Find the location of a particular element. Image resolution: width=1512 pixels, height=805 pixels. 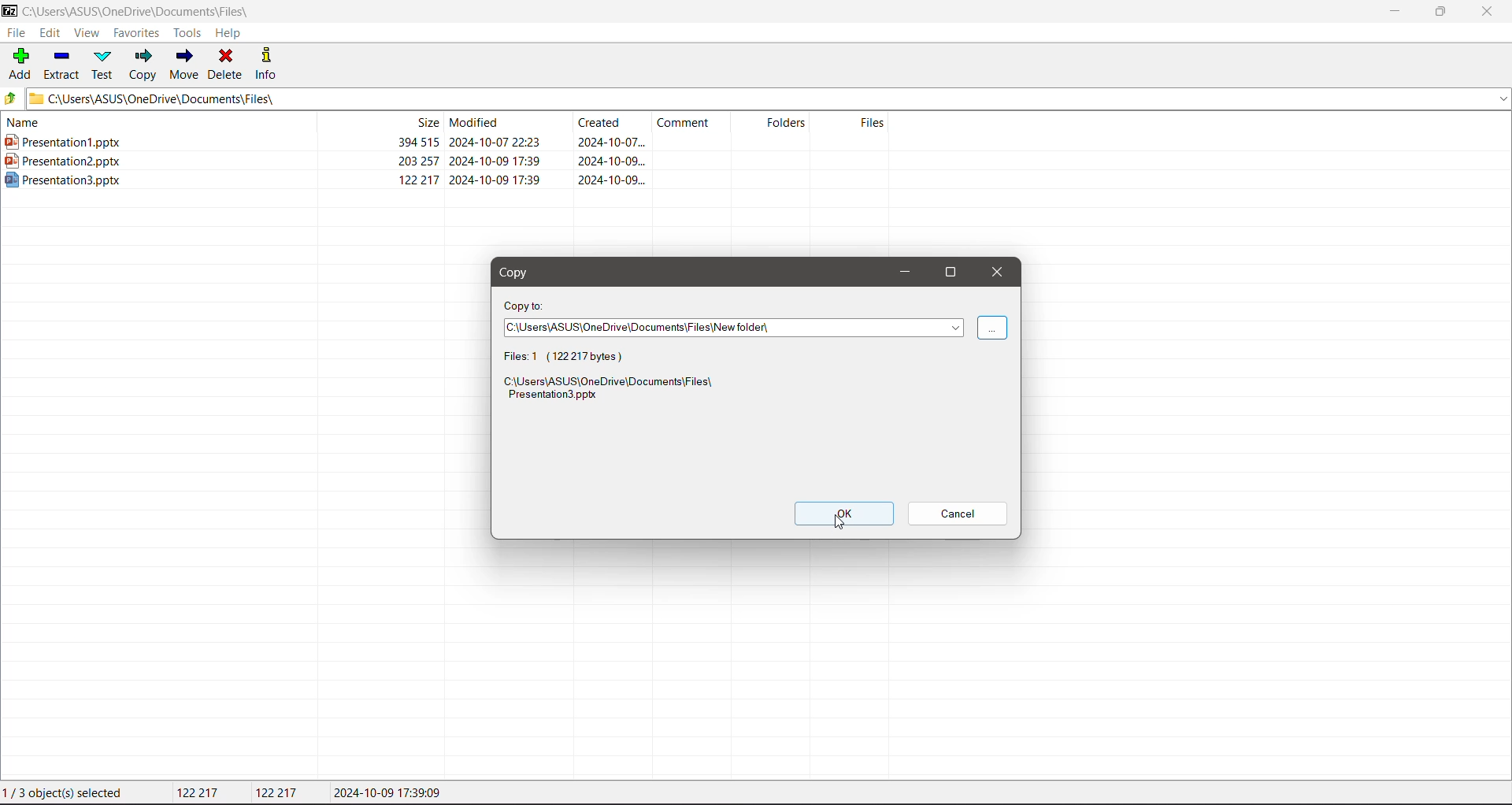

Selected file and size is located at coordinates (570, 357).